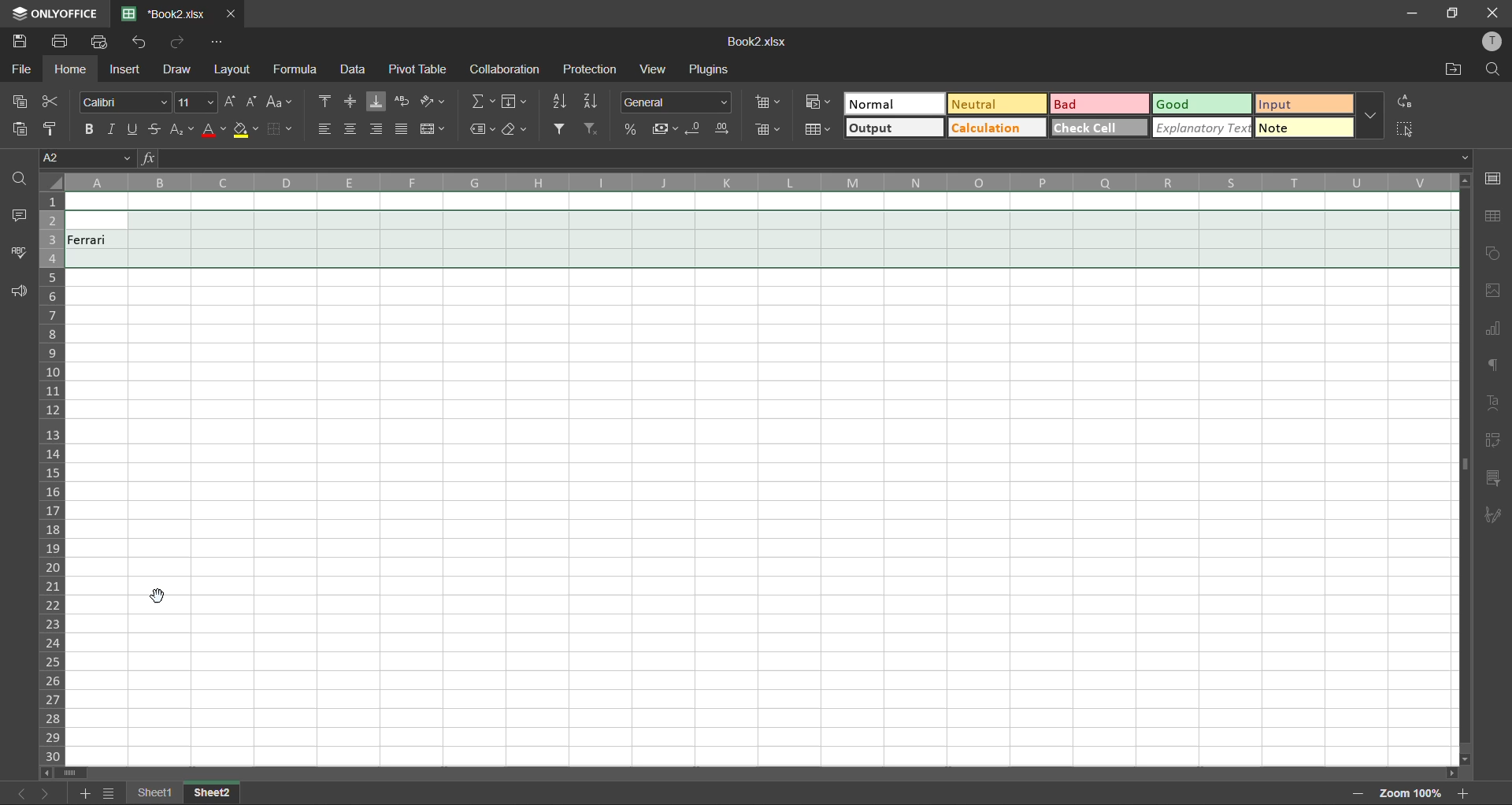  Describe the element at coordinates (22, 68) in the screenshot. I see `file` at that location.